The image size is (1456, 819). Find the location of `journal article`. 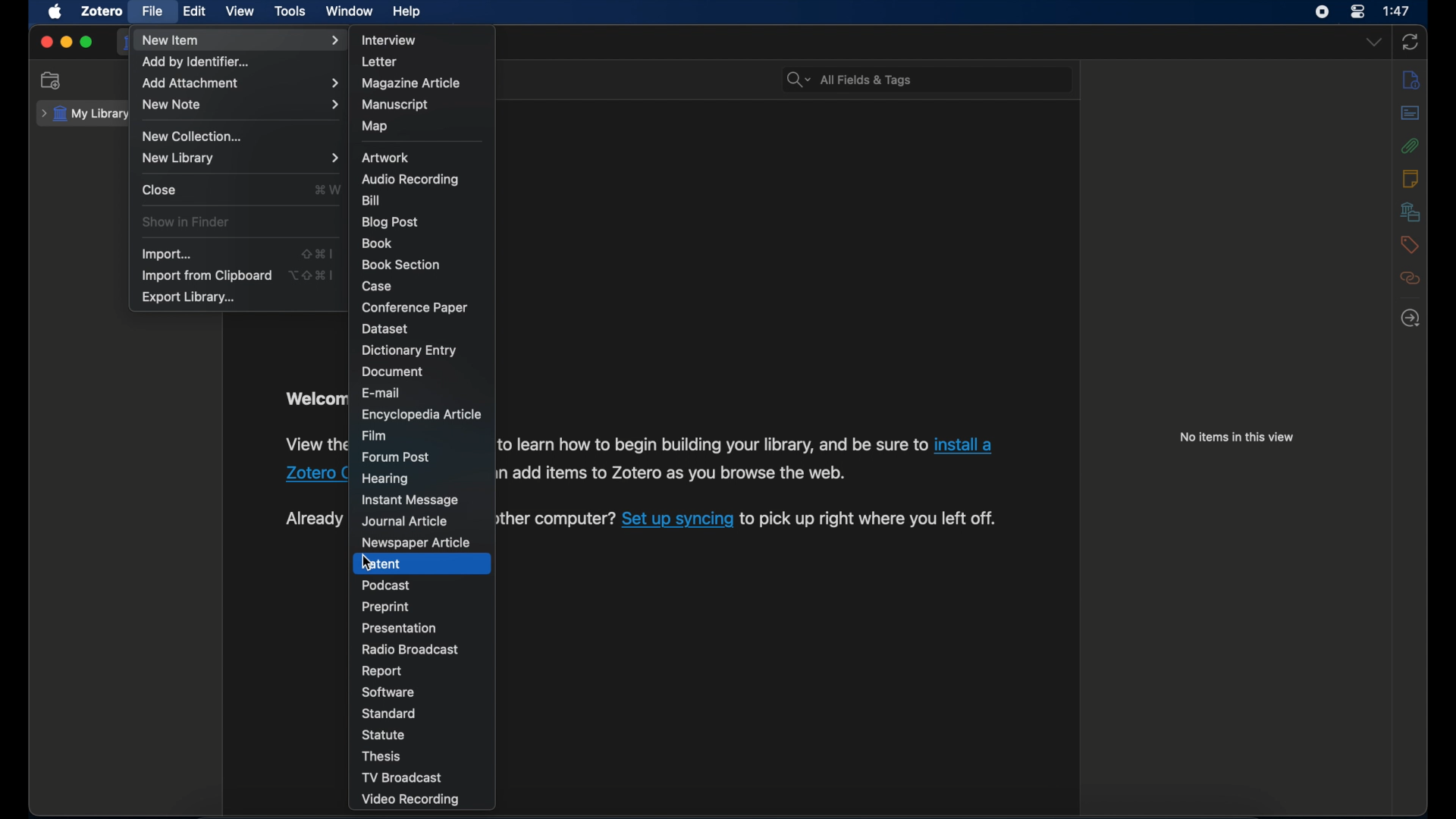

journal article is located at coordinates (406, 522).